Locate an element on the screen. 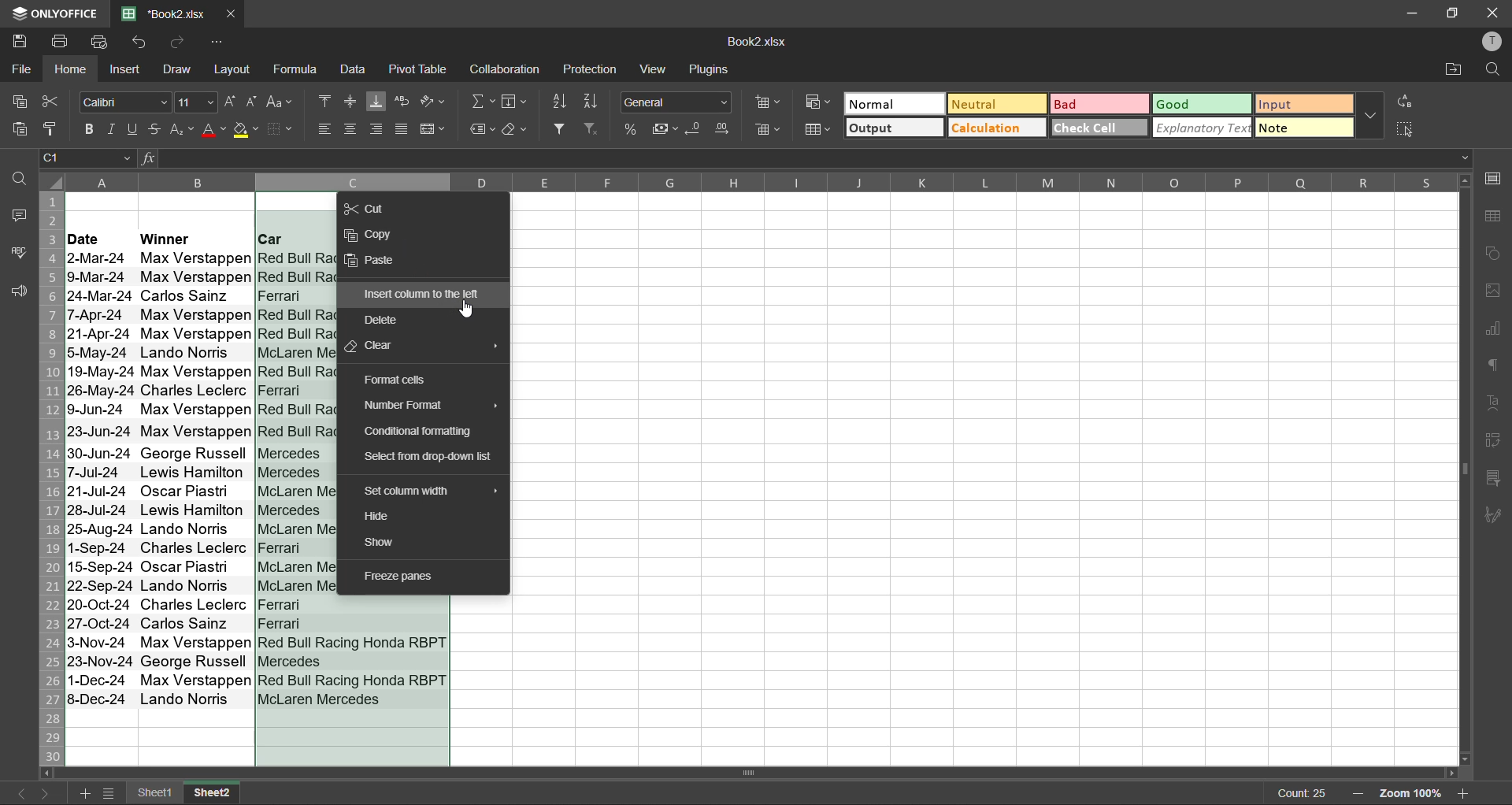 Image resolution: width=1512 pixels, height=805 pixels. good is located at coordinates (1203, 106).